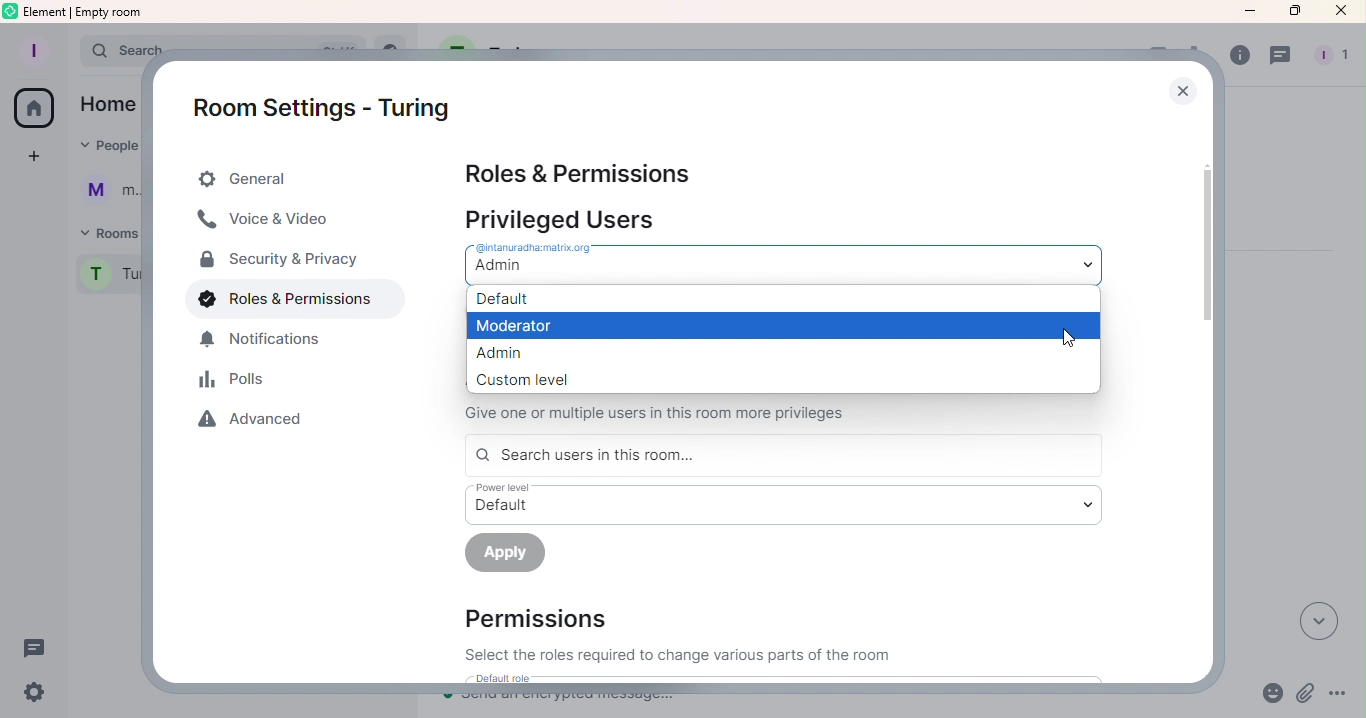 The height and width of the screenshot is (718, 1366). I want to click on Advanced, so click(255, 423).